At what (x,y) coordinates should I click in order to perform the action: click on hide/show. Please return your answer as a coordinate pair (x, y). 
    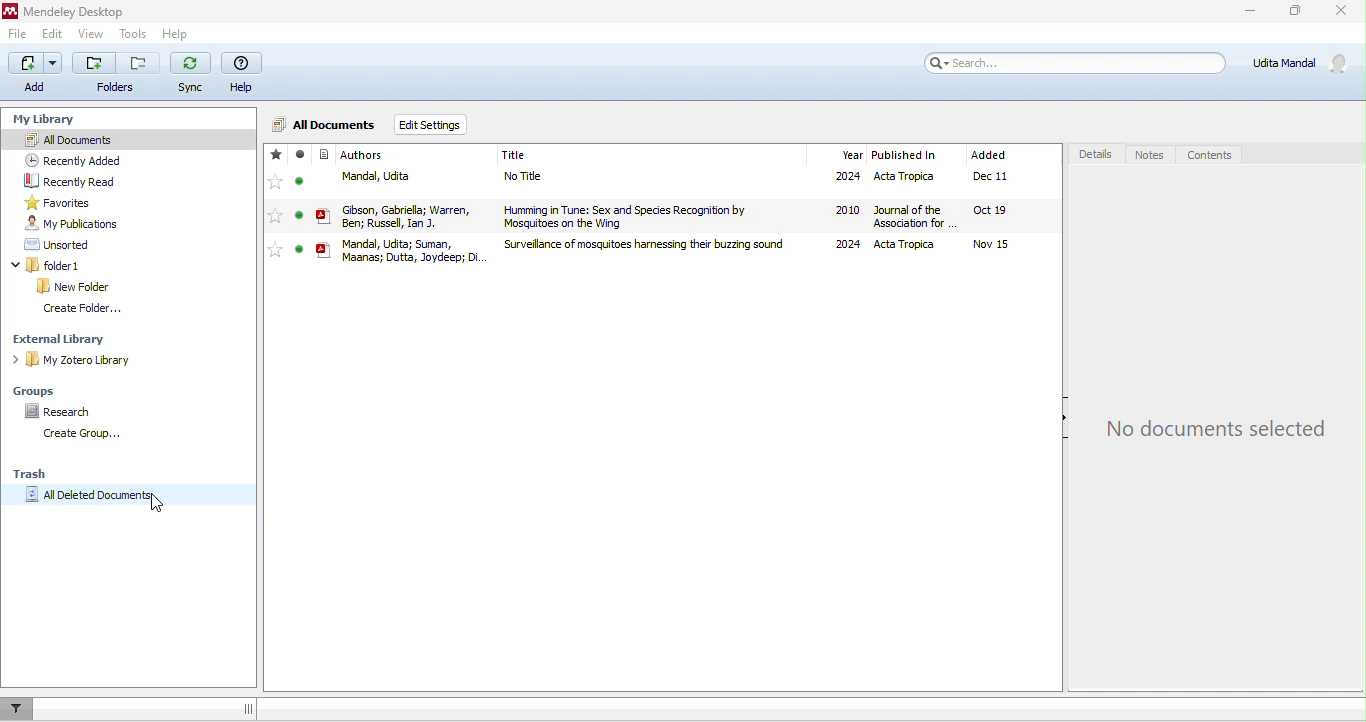
    Looking at the image, I should click on (1057, 420).